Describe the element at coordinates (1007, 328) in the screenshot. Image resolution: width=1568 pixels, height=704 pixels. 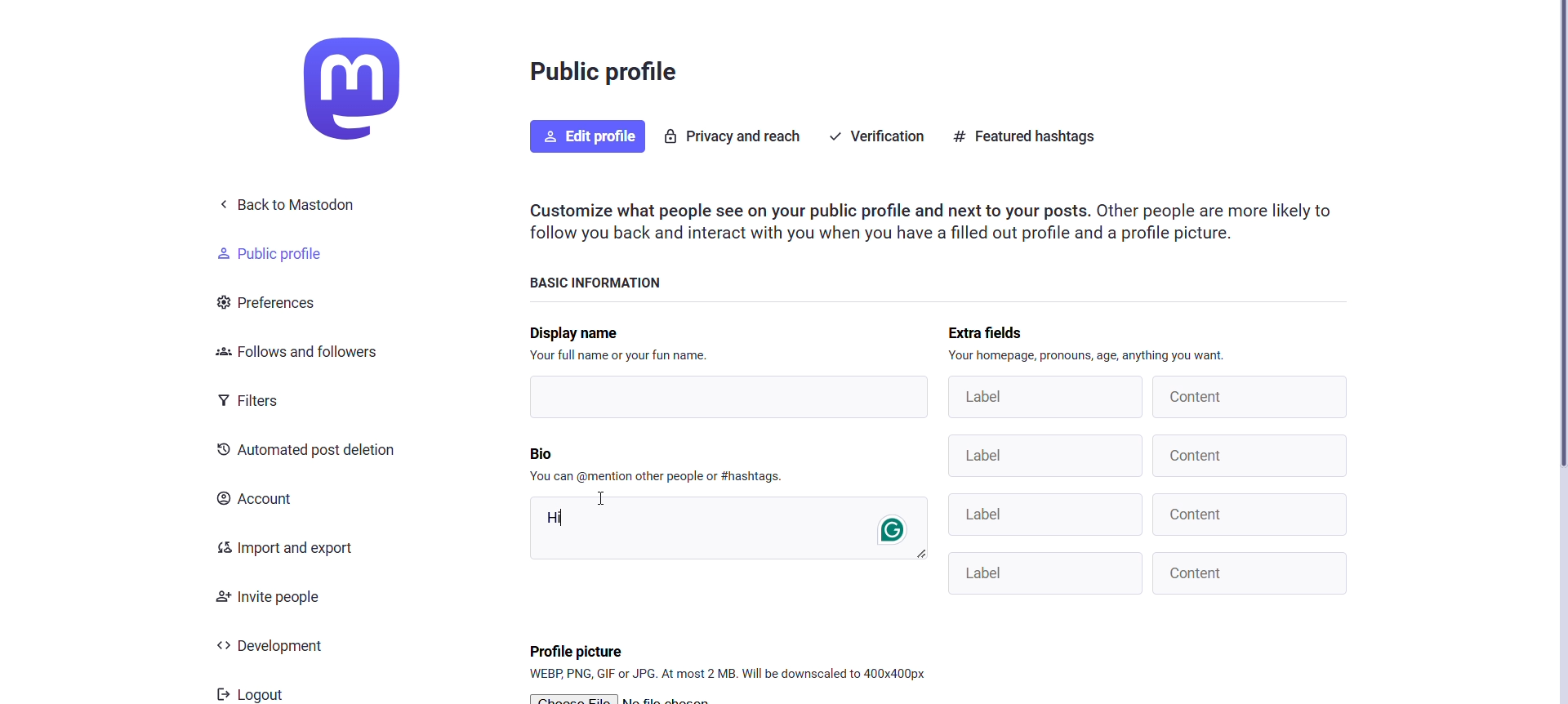
I see `Extra Fields` at that location.